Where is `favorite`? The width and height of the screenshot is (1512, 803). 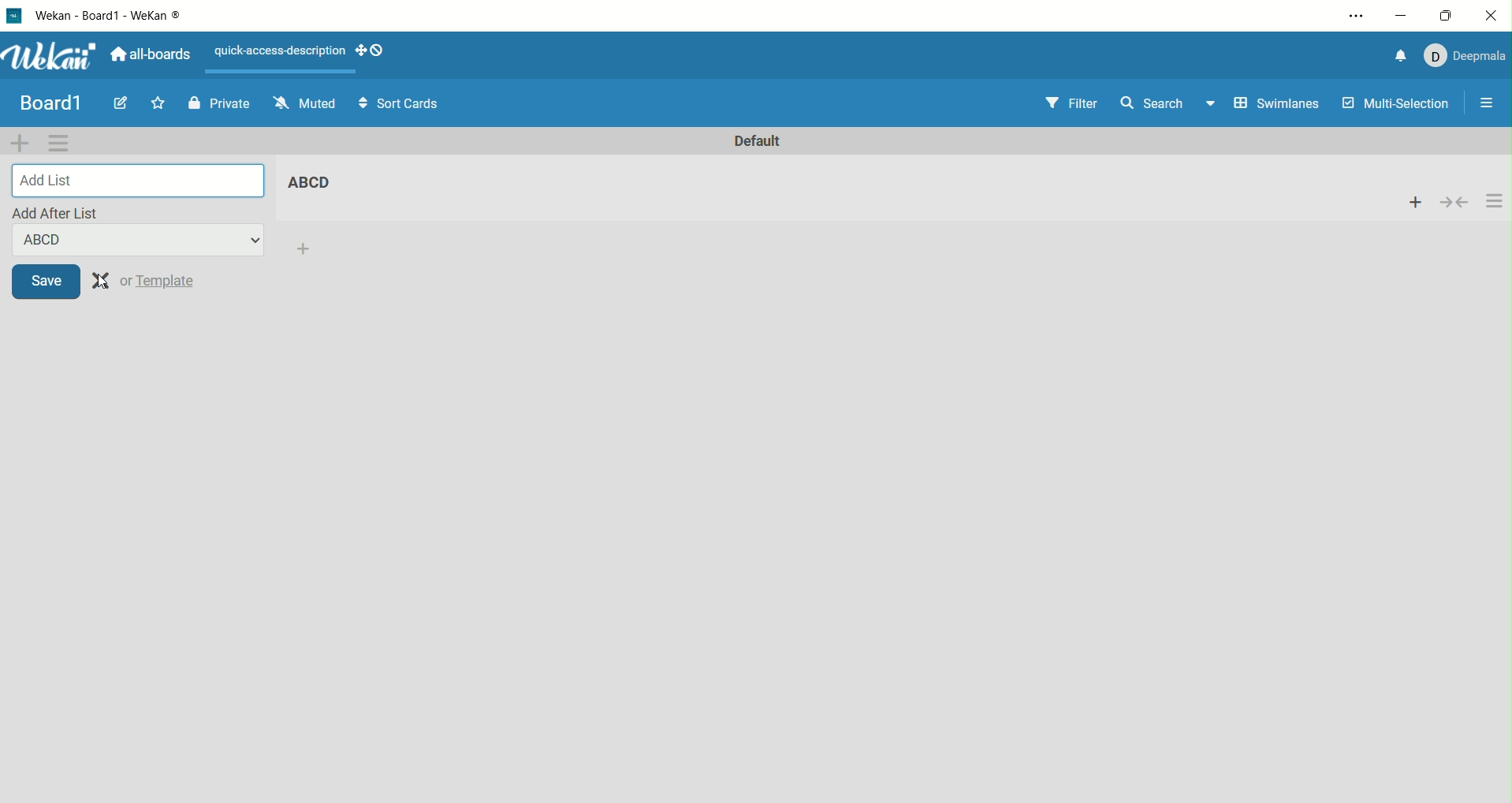 favorite is located at coordinates (158, 102).